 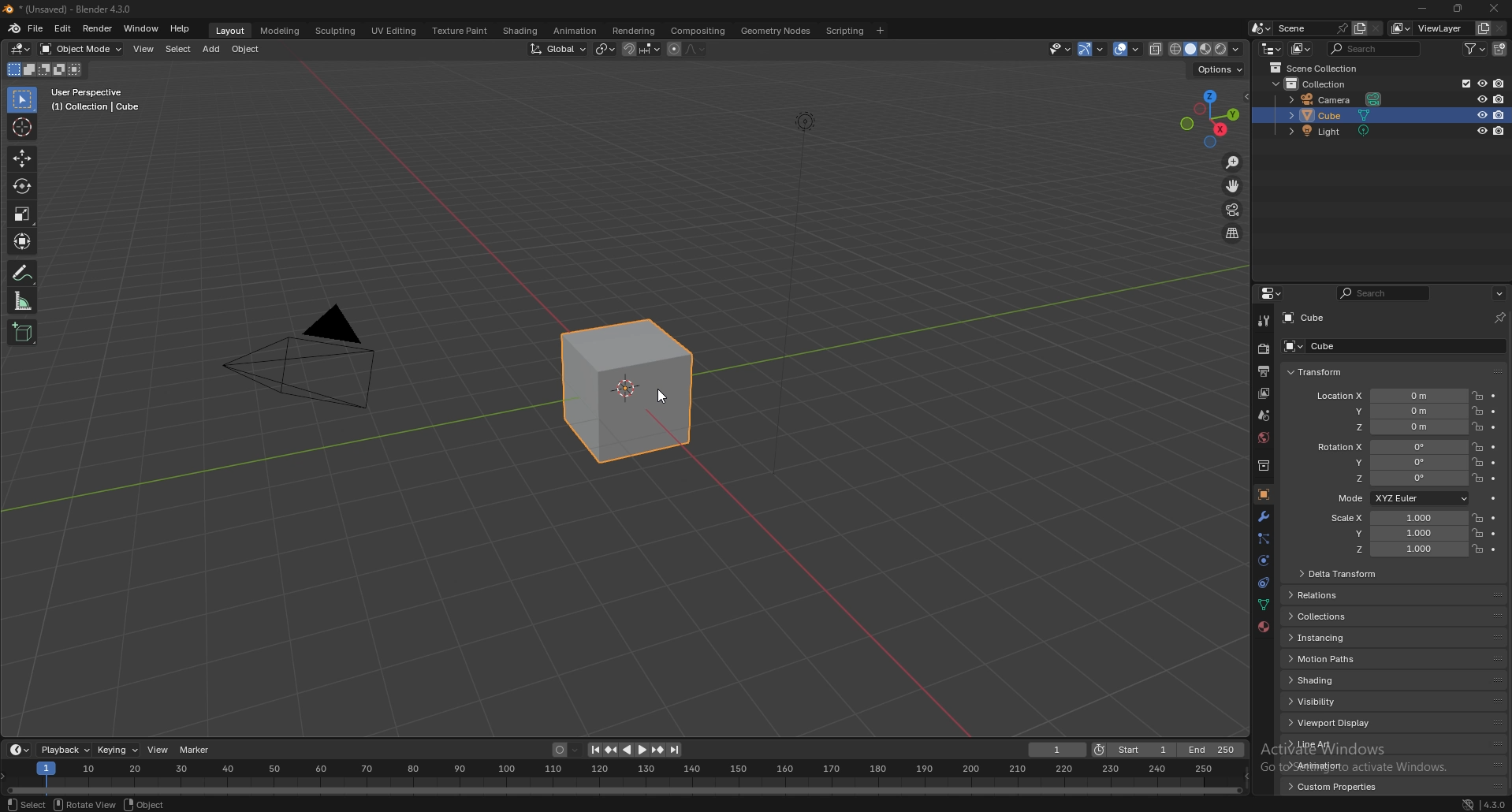 What do you see at coordinates (461, 31) in the screenshot?
I see `texture paint` at bounding box center [461, 31].